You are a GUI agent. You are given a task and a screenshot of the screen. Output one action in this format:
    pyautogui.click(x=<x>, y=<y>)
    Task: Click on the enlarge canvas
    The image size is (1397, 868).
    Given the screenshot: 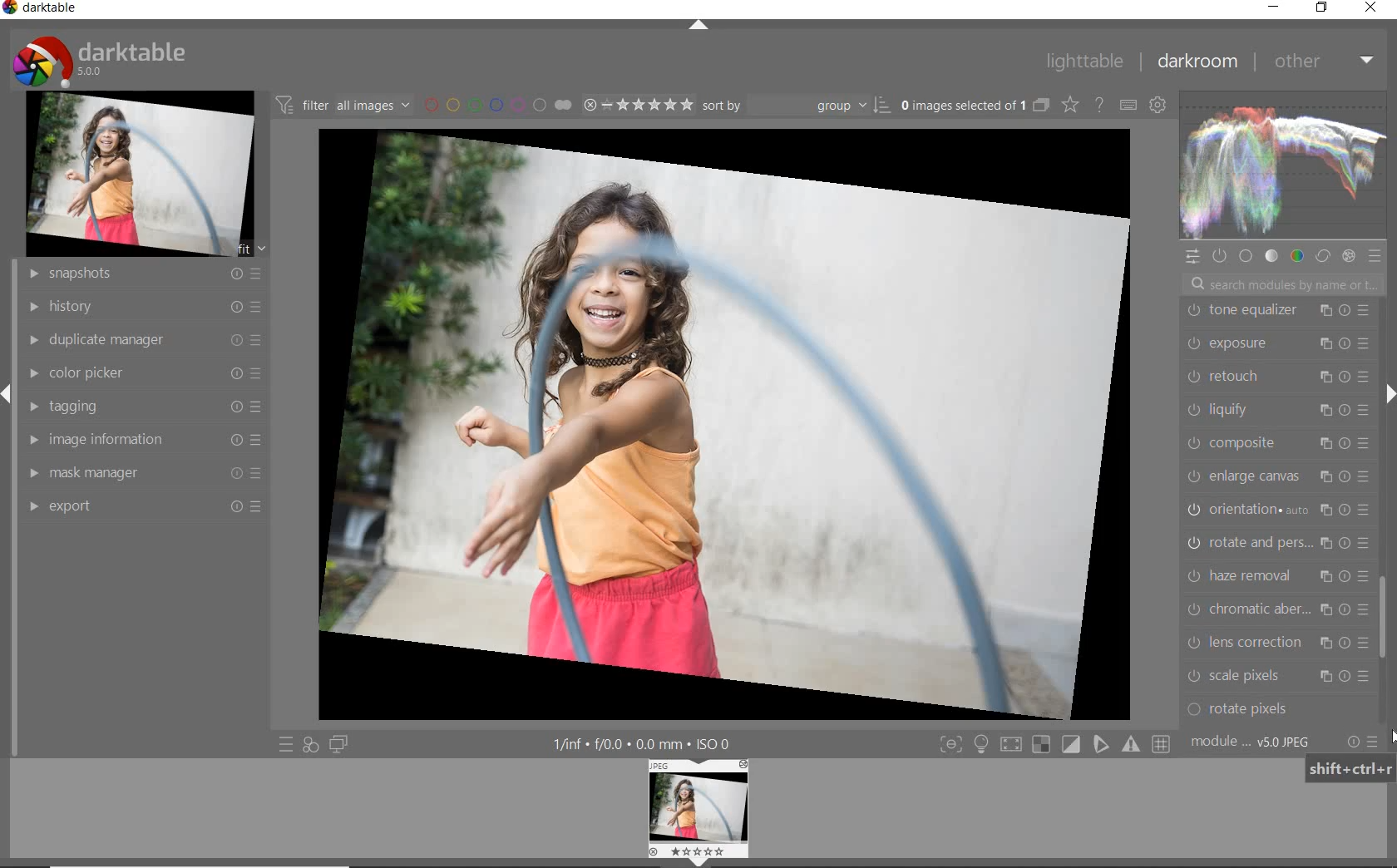 What is the action you would take?
    pyautogui.click(x=1277, y=474)
    